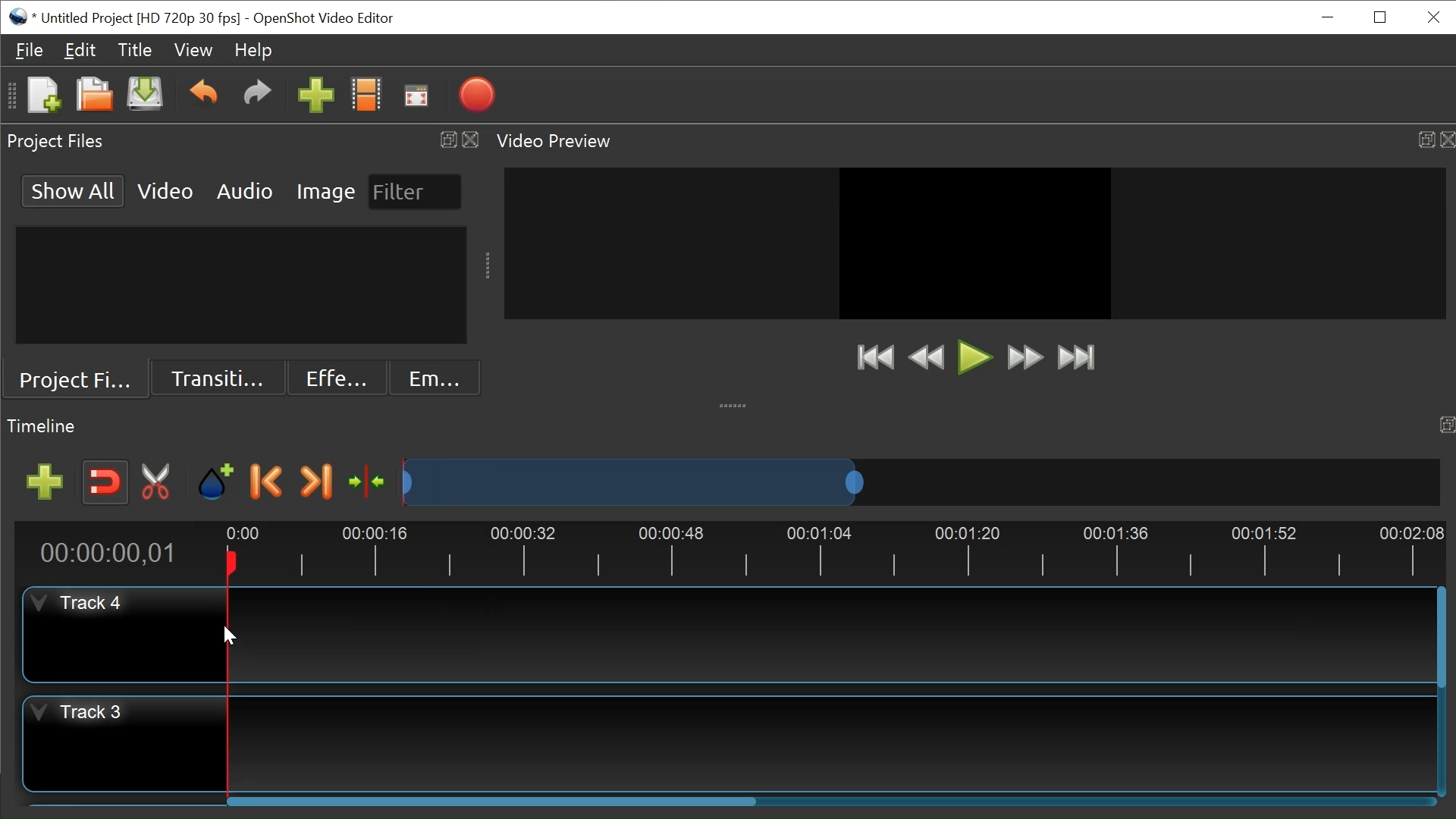  What do you see at coordinates (144, 96) in the screenshot?
I see `Save File` at bounding box center [144, 96].